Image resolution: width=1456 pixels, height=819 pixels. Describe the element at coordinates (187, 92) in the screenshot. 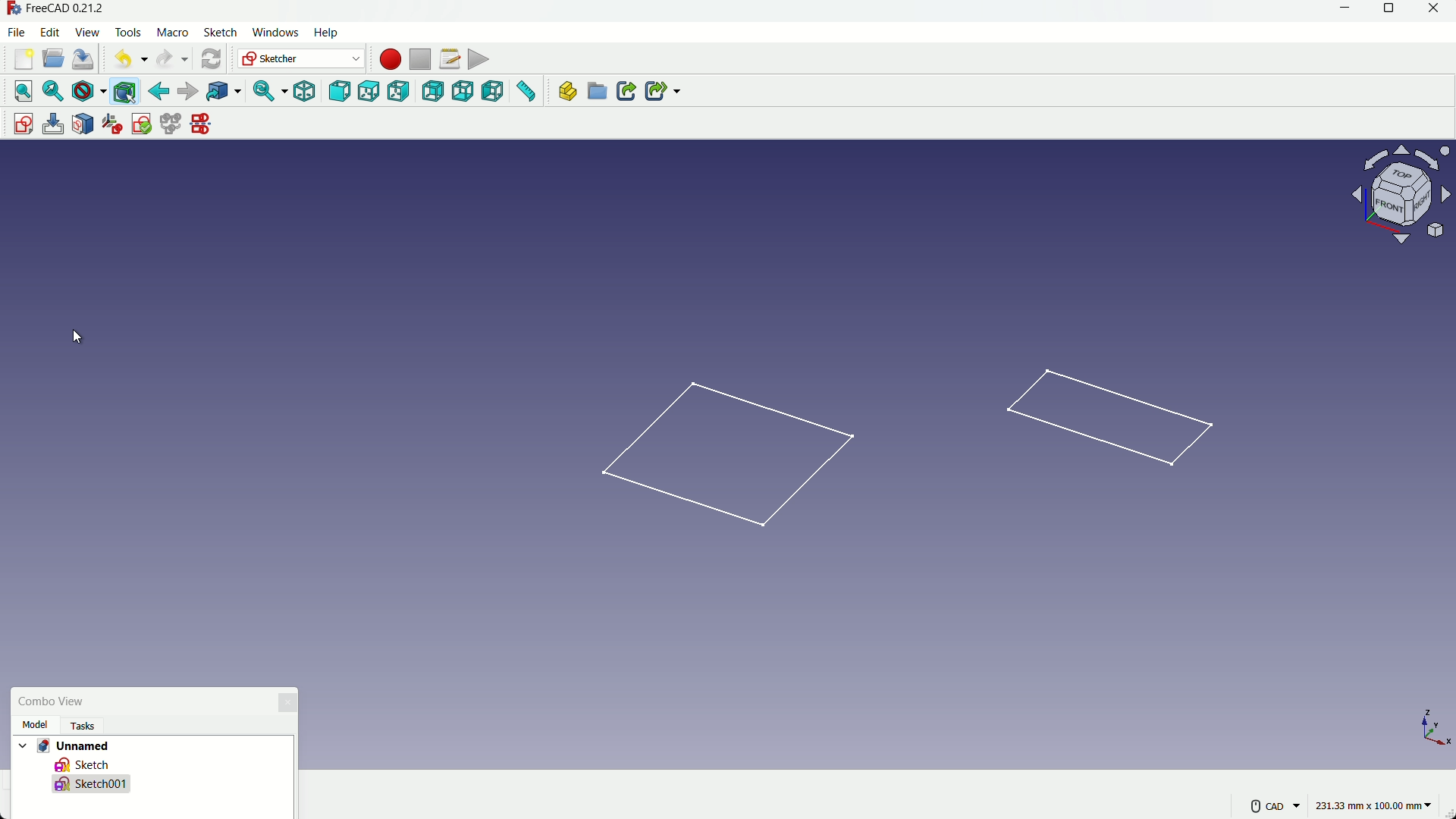

I see `forward` at that location.